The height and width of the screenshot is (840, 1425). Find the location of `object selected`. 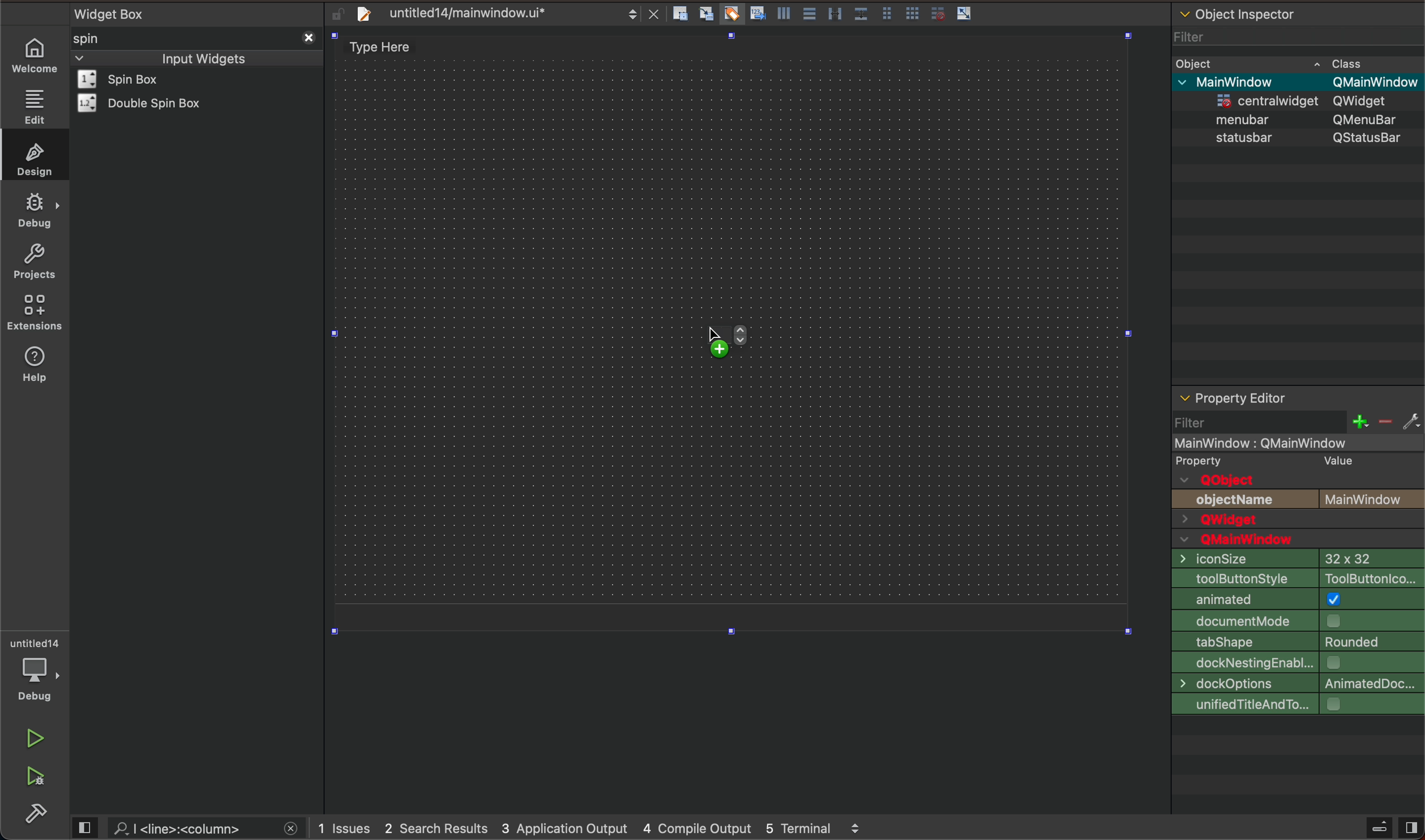

object selected is located at coordinates (1296, 442).